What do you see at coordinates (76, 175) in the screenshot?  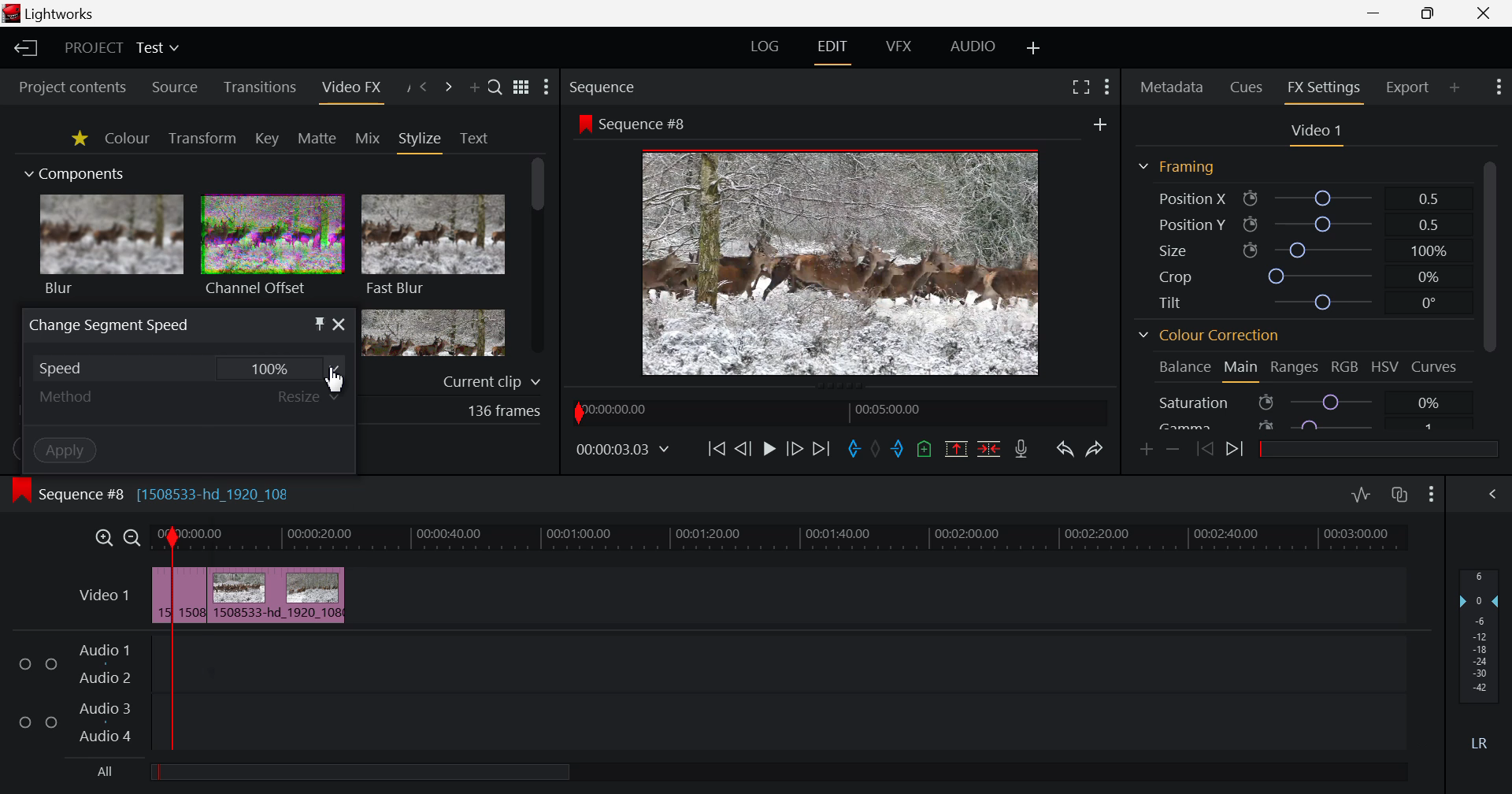 I see `Components` at bounding box center [76, 175].